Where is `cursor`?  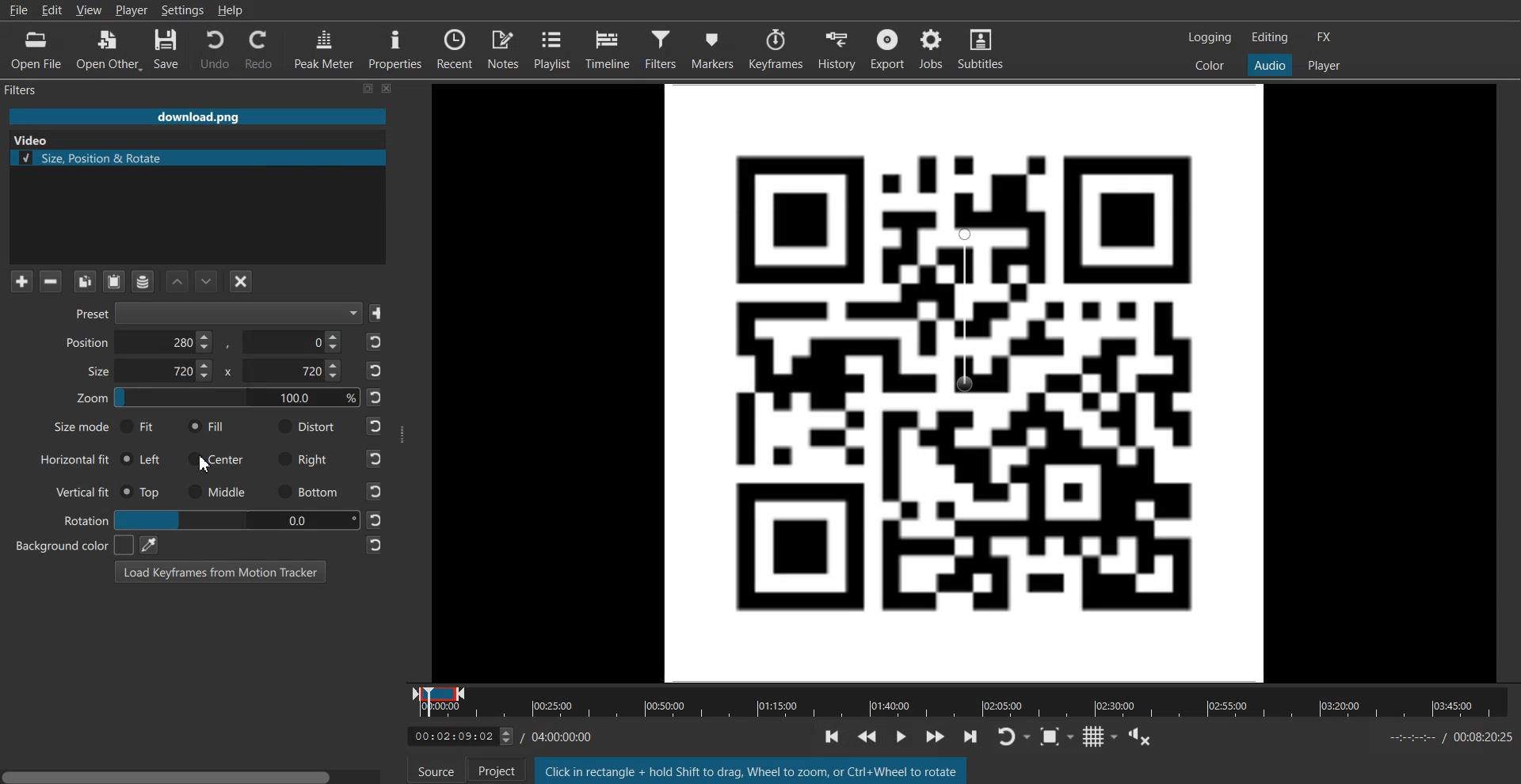
cursor is located at coordinates (207, 447).